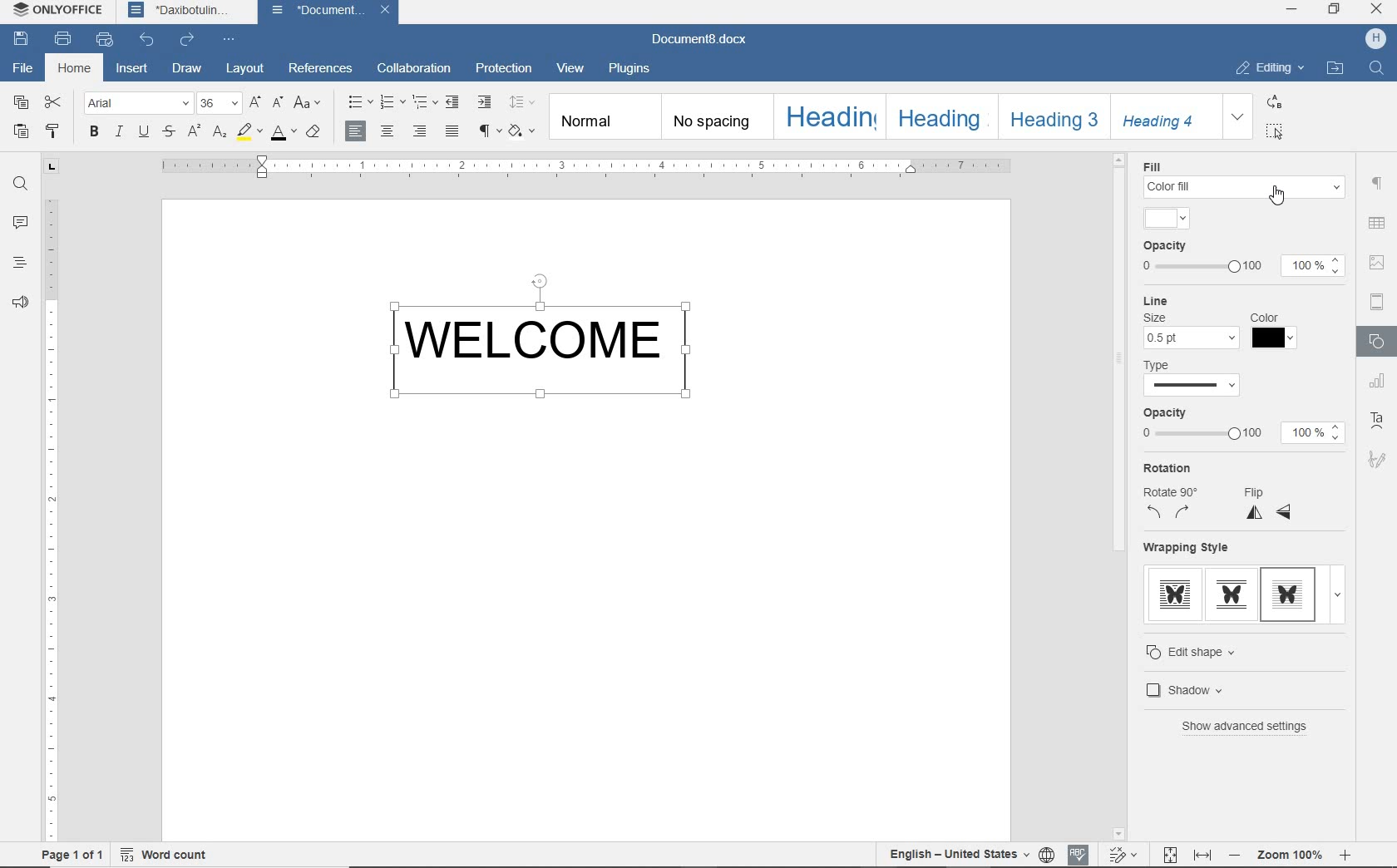 Image resolution: width=1397 pixels, height=868 pixels. What do you see at coordinates (20, 37) in the screenshot?
I see `SAVE` at bounding box center [20, 37].